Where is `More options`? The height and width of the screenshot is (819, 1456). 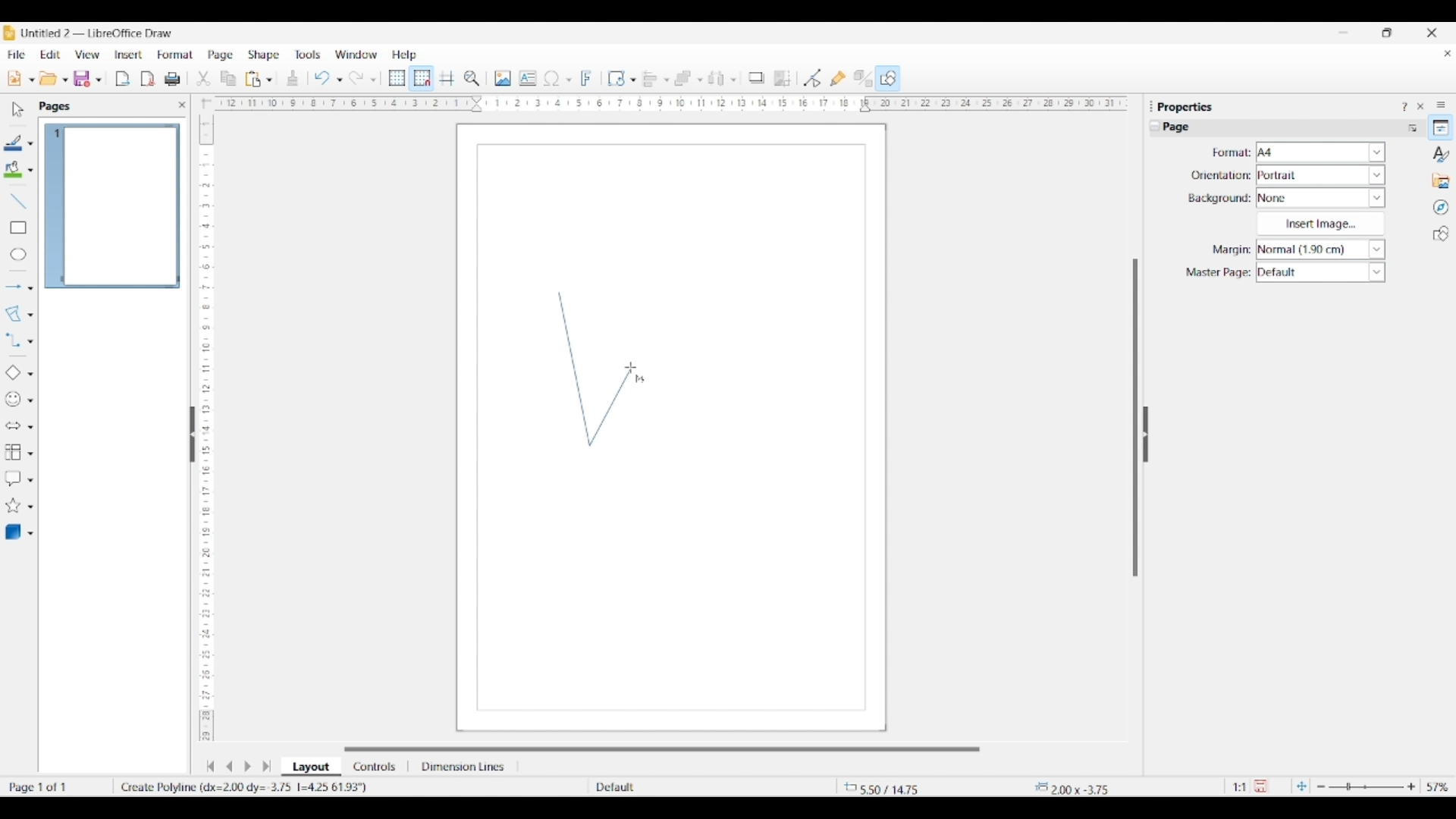 More options is located at coordinates (1412, 127).